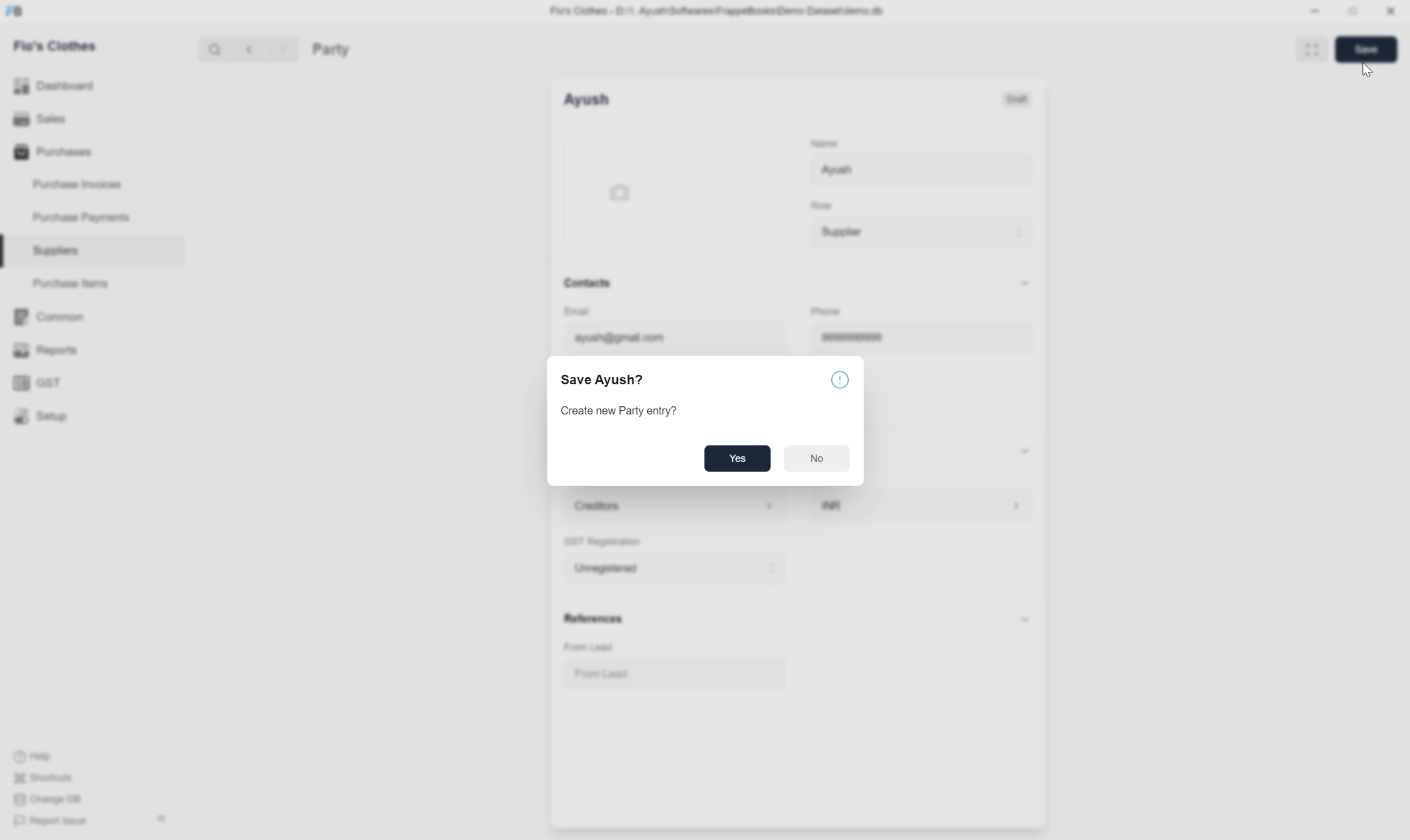 This screenshot has width=1410, height=840. What do you see at coordinates (92, 251) in the screenshot?
I see `Suppliers` at bounding box center [92, 251].